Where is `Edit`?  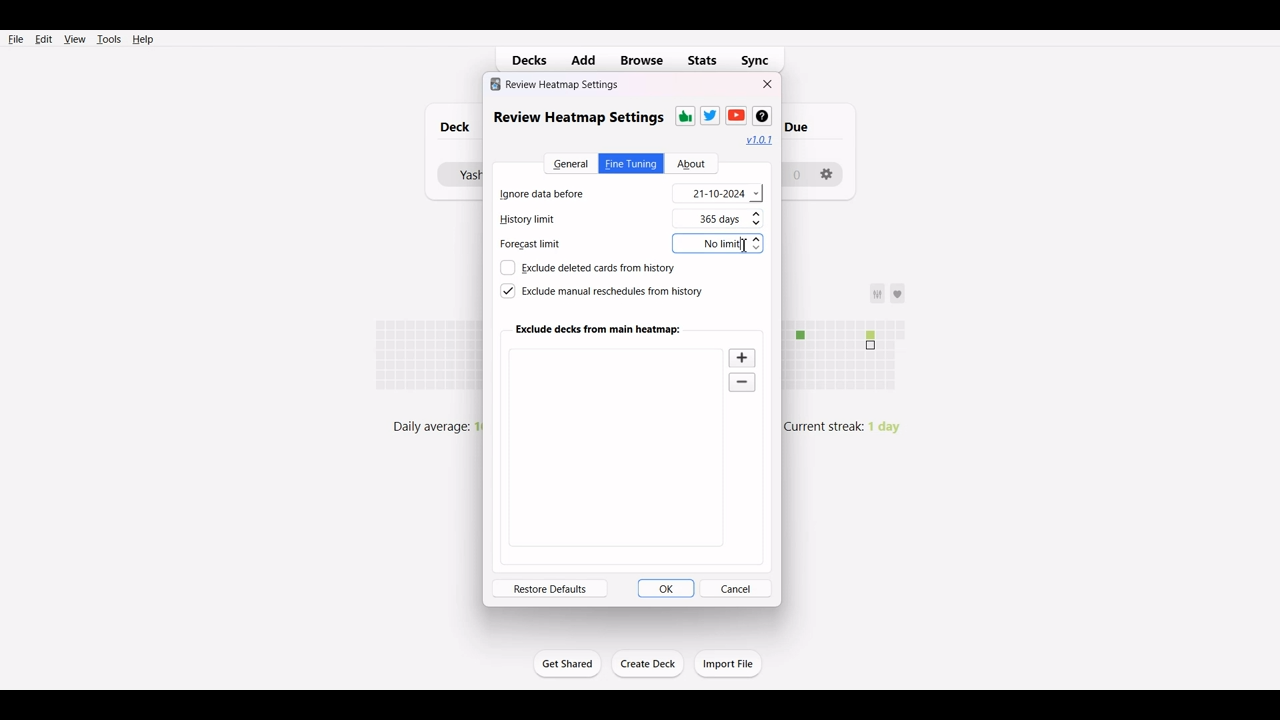 Edit is located at coordinates (43, 39).